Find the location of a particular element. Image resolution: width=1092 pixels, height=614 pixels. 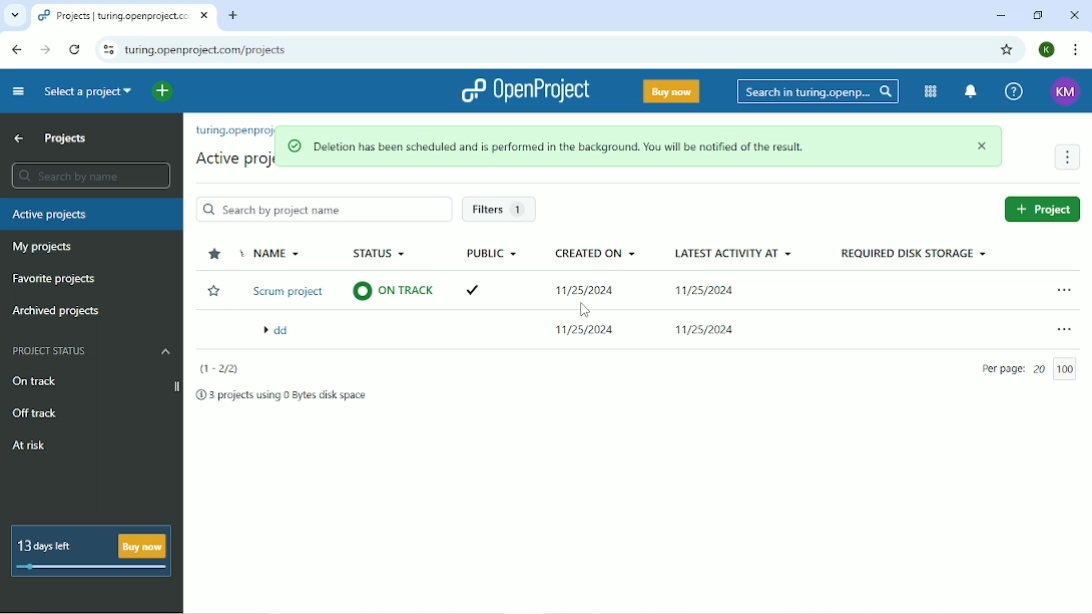

per page 20/100 is located at coordinates (1031, 369).